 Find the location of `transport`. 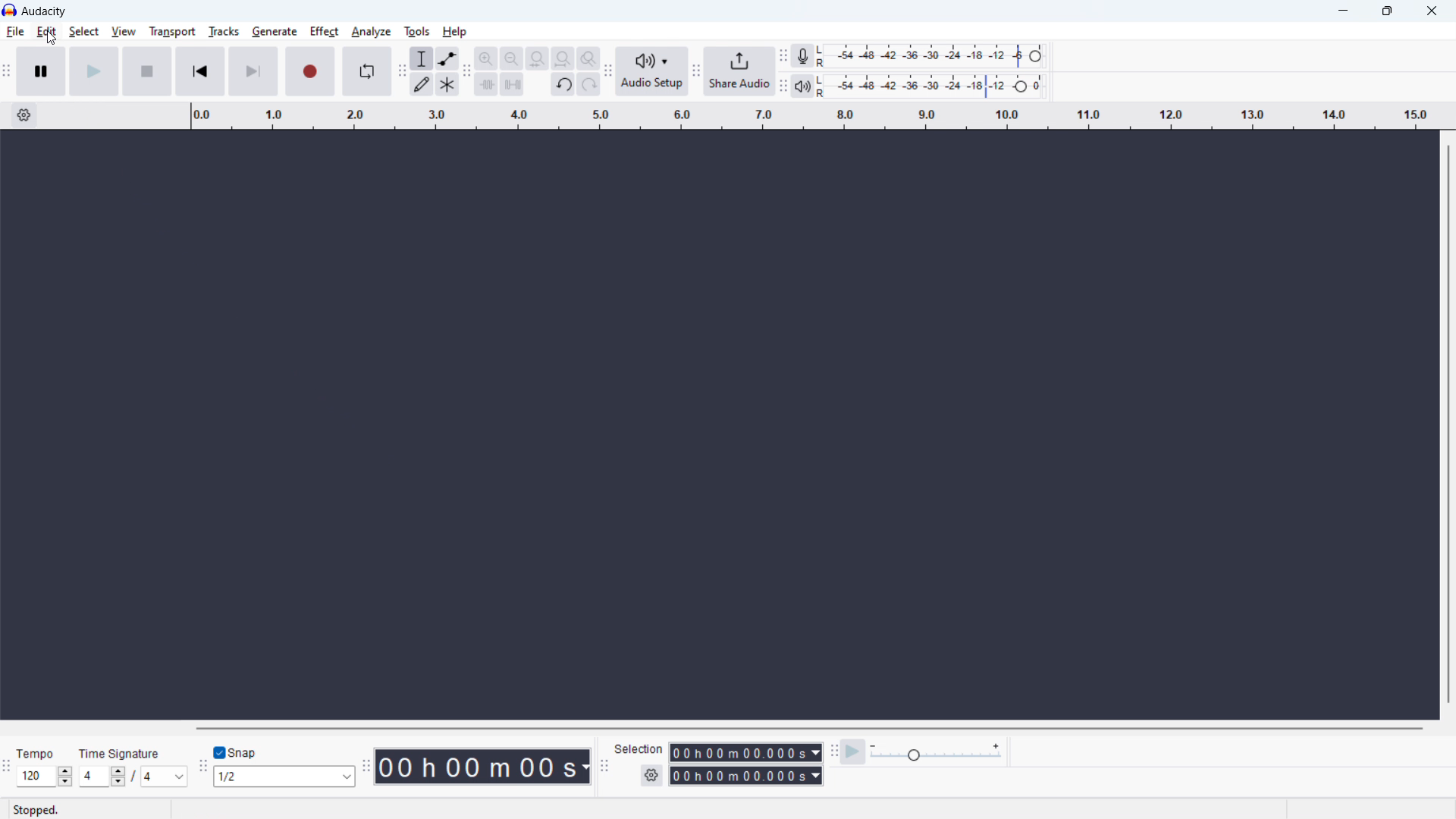

transport is located at coordinates (172, 32).